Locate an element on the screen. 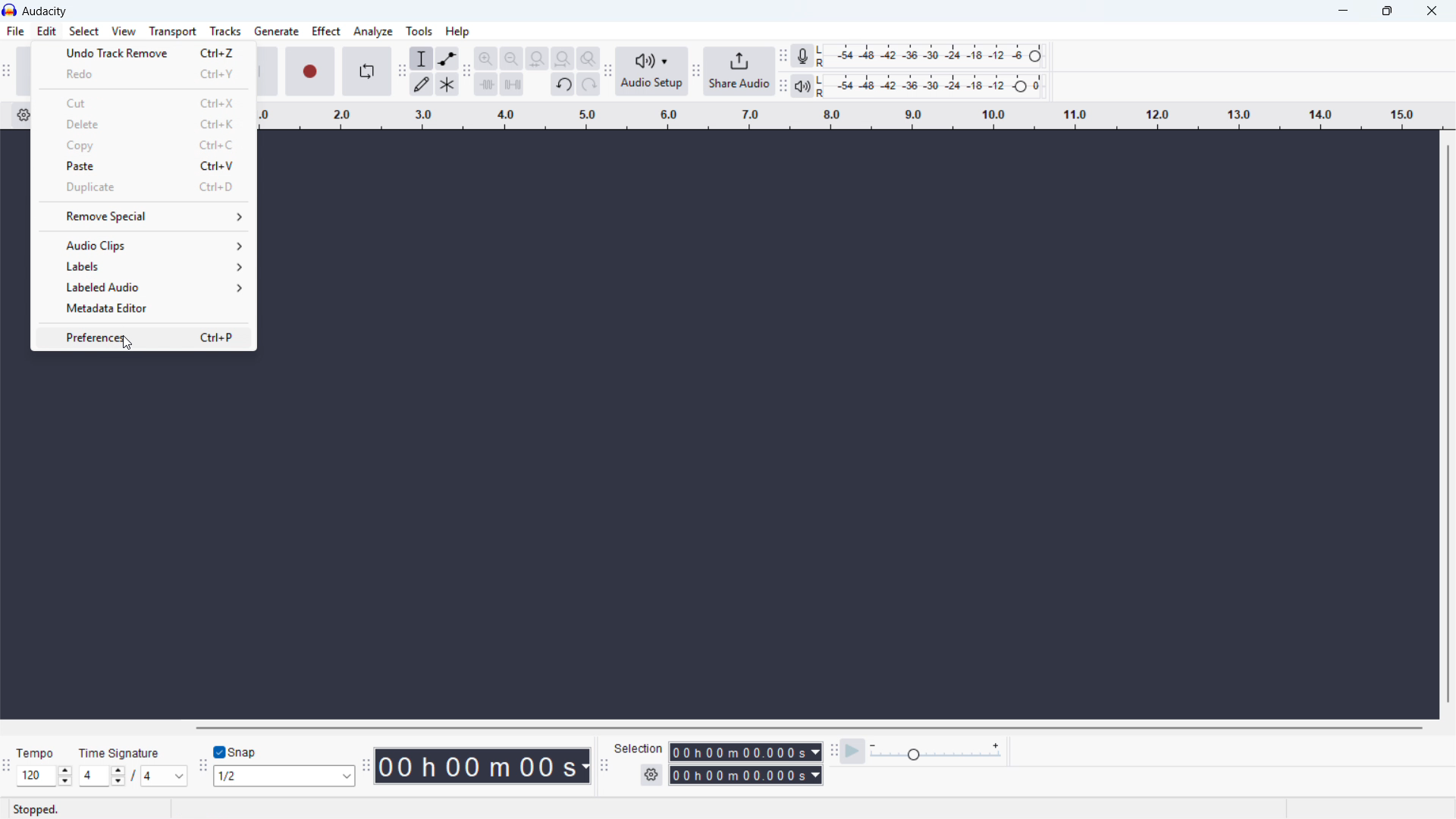 This screenshot has width=1456, height=819. set tempo is located at coordinates (44, 766).